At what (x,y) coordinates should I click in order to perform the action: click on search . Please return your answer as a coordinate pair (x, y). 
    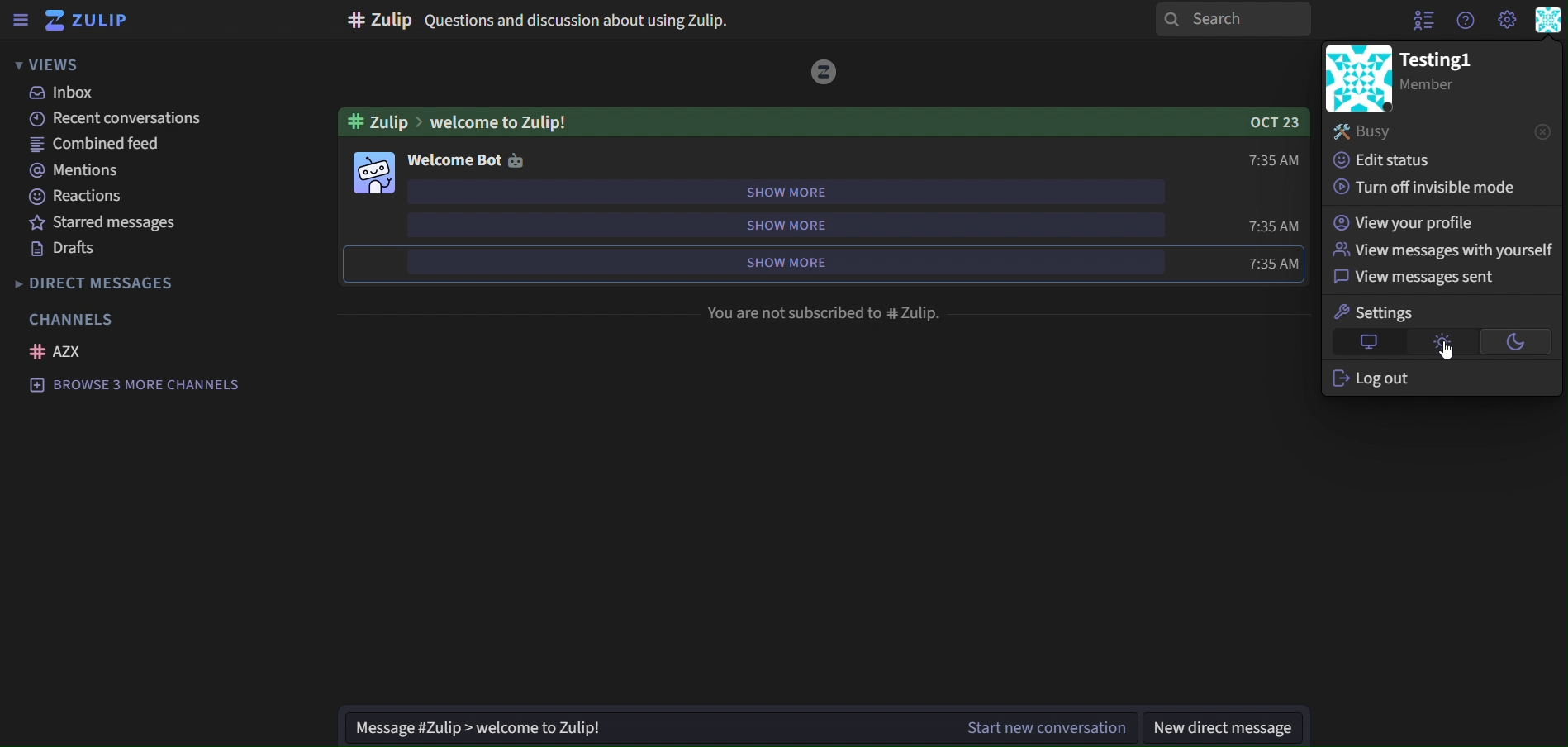
    Looking at the image, I should click on (1230, 21).